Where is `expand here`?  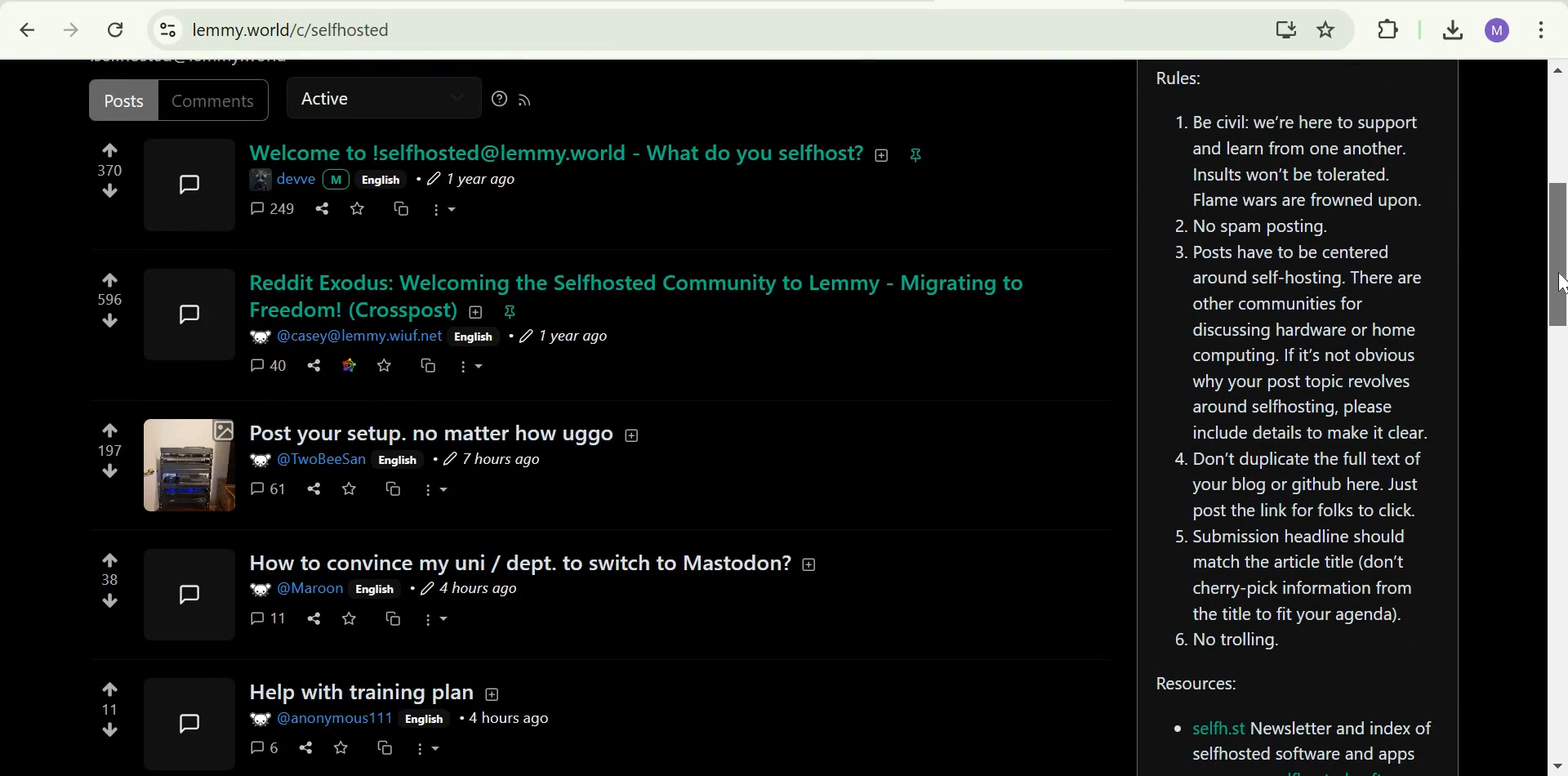 expand here is located at coordinates (189, 463).